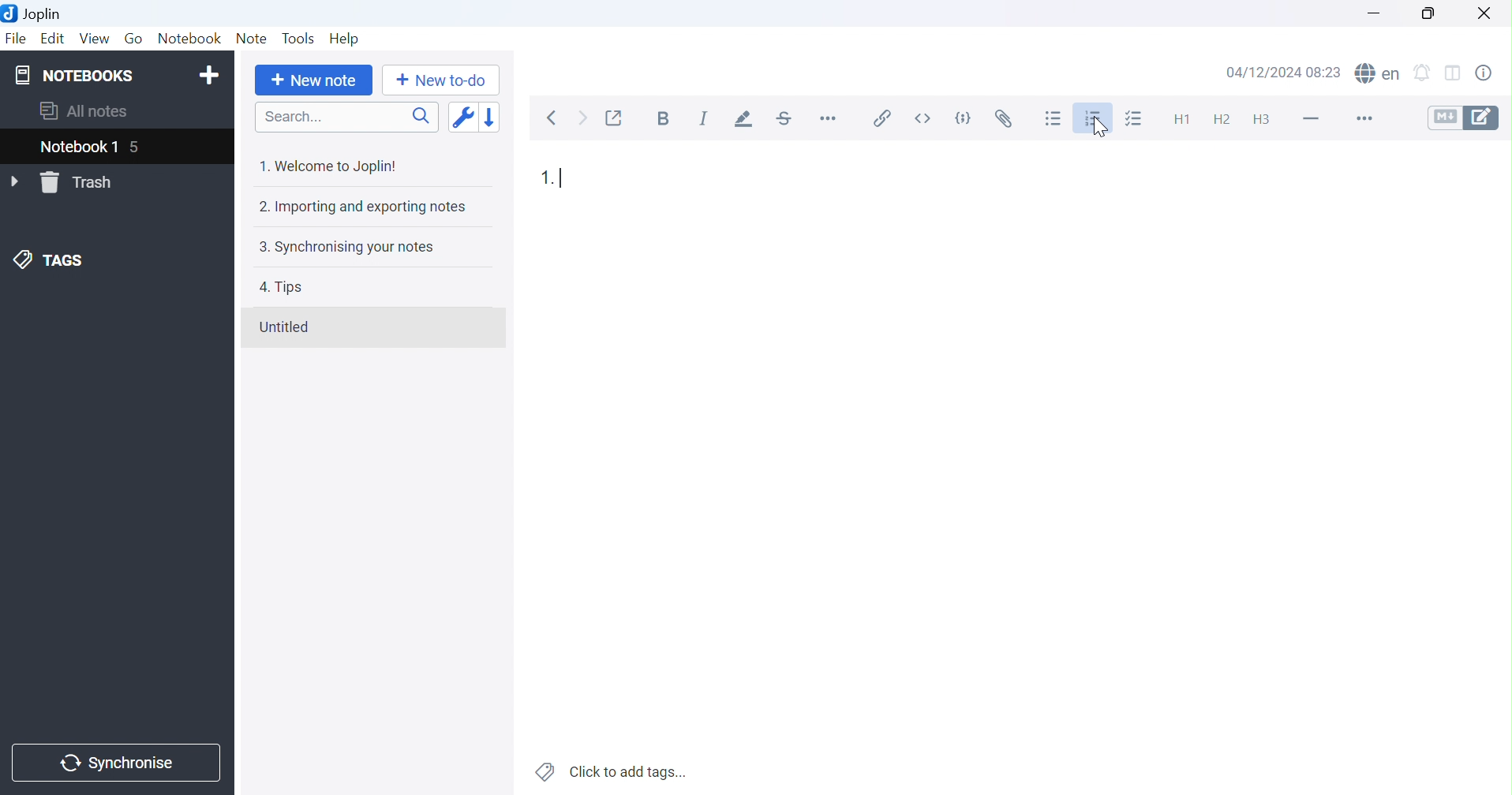 Image resolution: width=1512 pixels, height=795 pixels. Describe the element at coordinates (964, 119) in the screenshot. I see `Code` at that location.